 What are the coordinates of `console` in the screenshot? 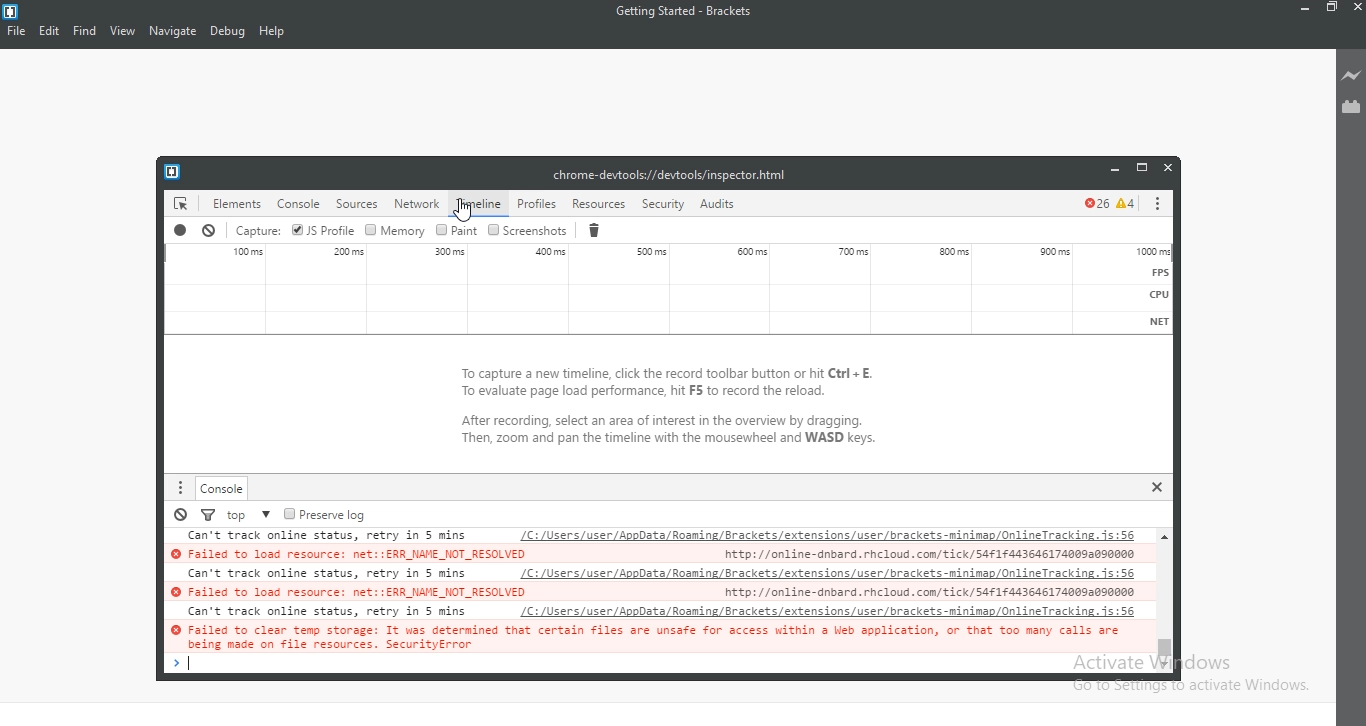 It's located at (300, 203).